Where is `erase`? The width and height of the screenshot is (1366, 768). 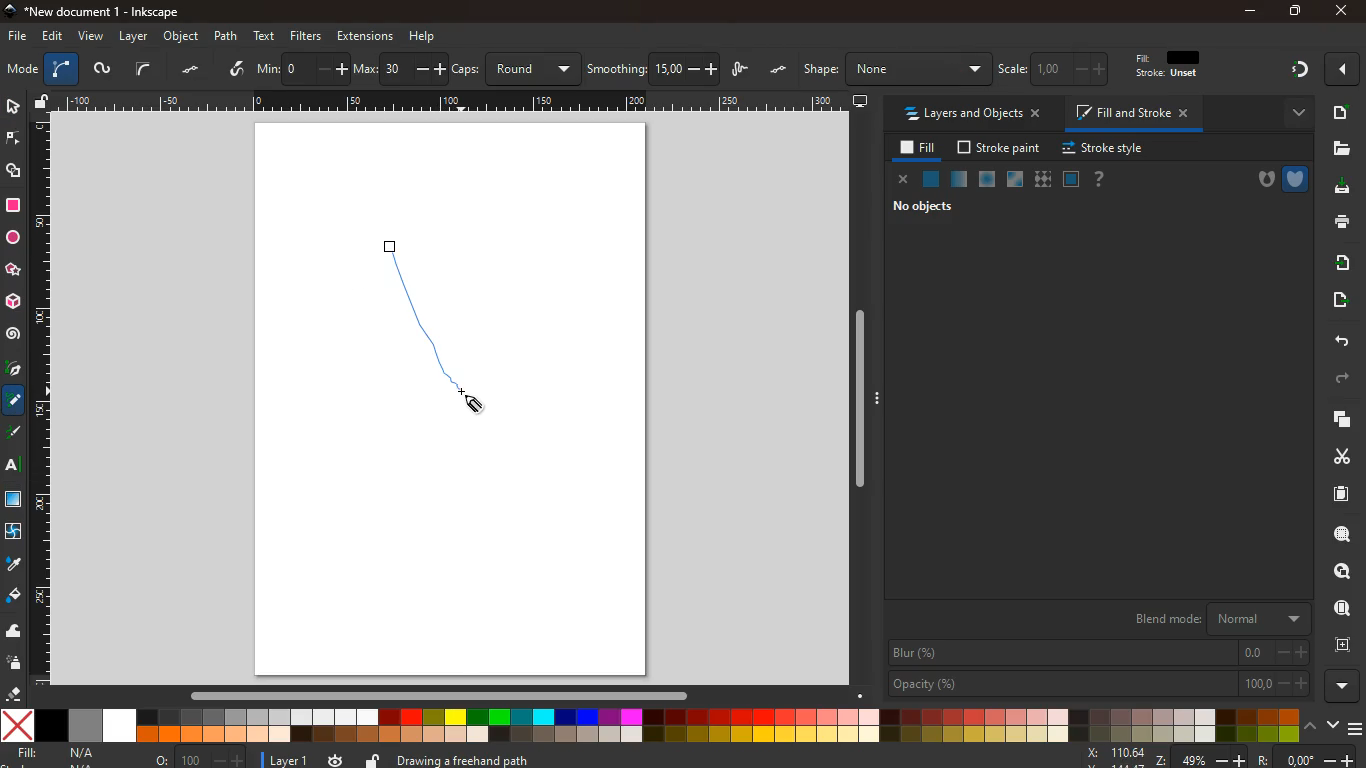 erase is located at coordinates (11, 693).